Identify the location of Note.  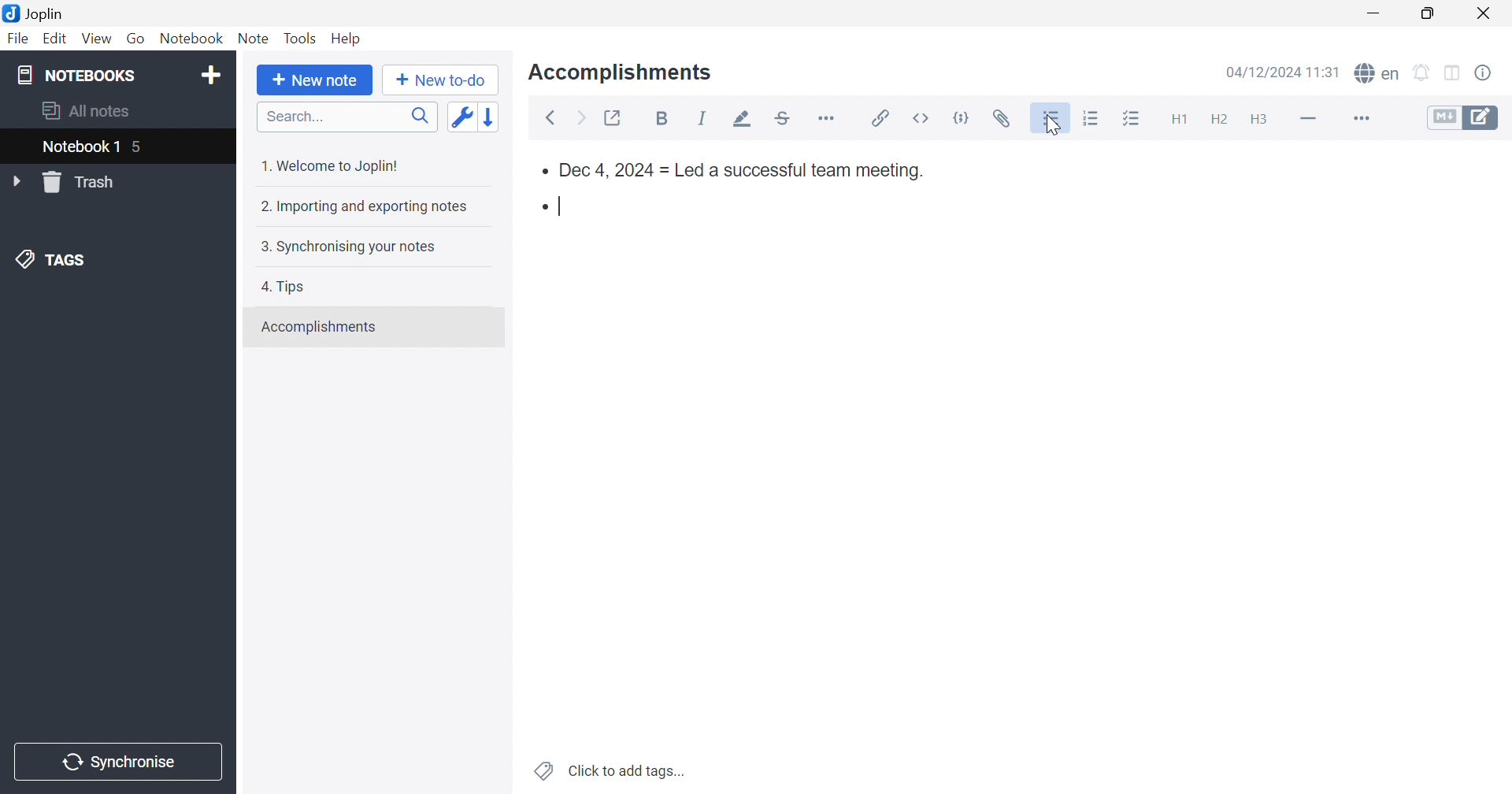
(253, 40).